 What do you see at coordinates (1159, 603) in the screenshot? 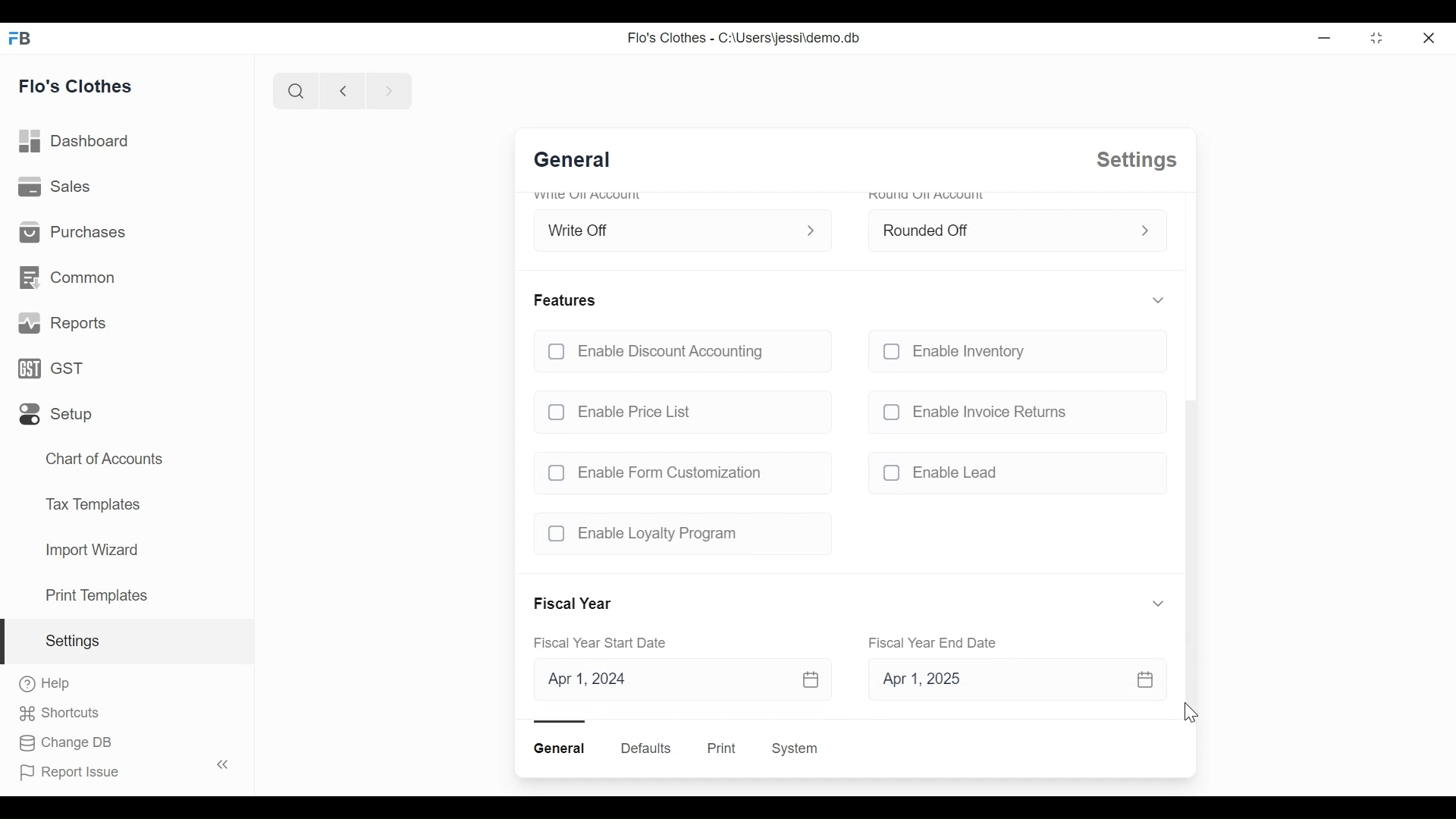
I see `Expand` at bounding box center [1159, 603].